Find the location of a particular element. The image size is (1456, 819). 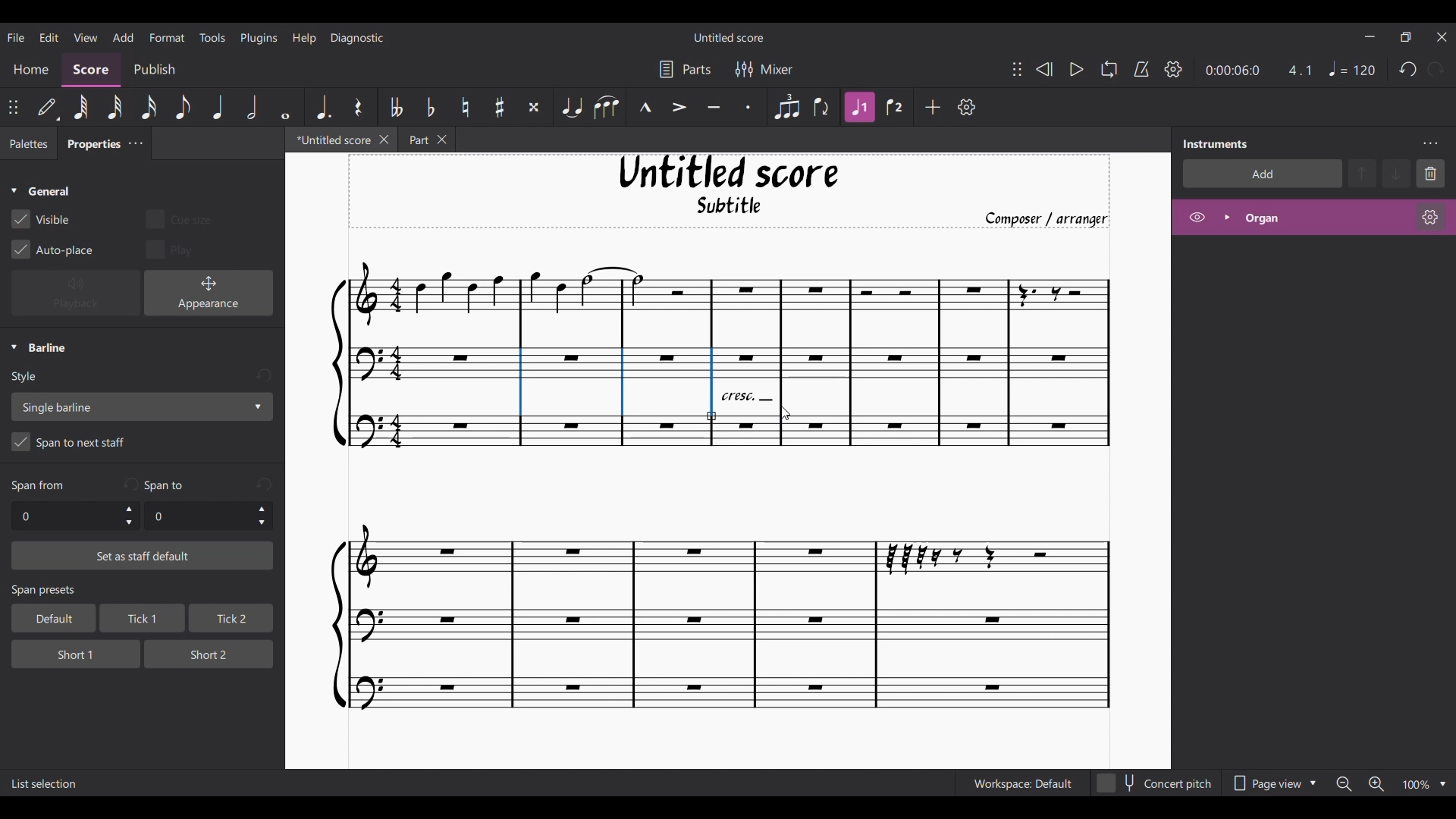

Playback settings is located at coordinates (1173, 69).